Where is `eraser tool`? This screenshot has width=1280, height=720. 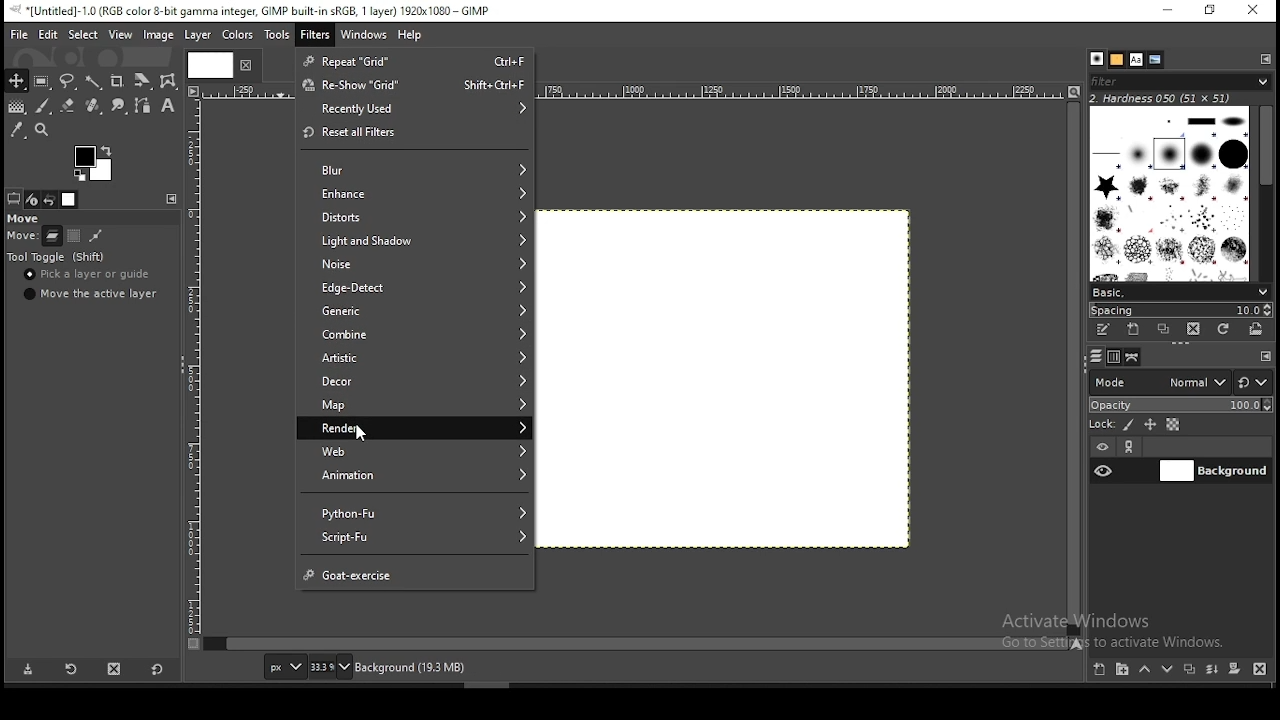 eraser tool is located at coordinates (95, 106).